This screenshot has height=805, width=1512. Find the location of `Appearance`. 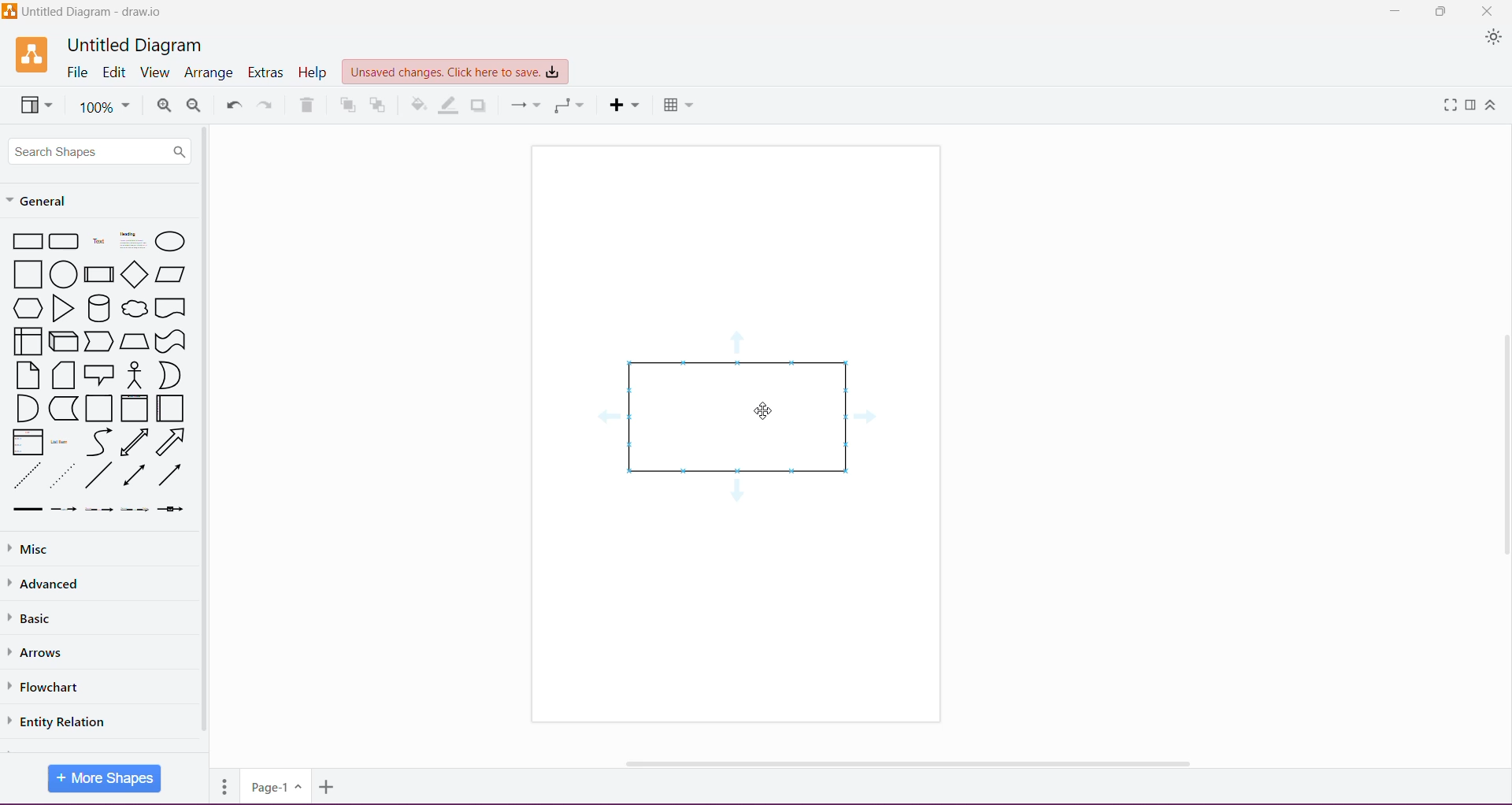

Appearance is located at coordinates (1494, 38).